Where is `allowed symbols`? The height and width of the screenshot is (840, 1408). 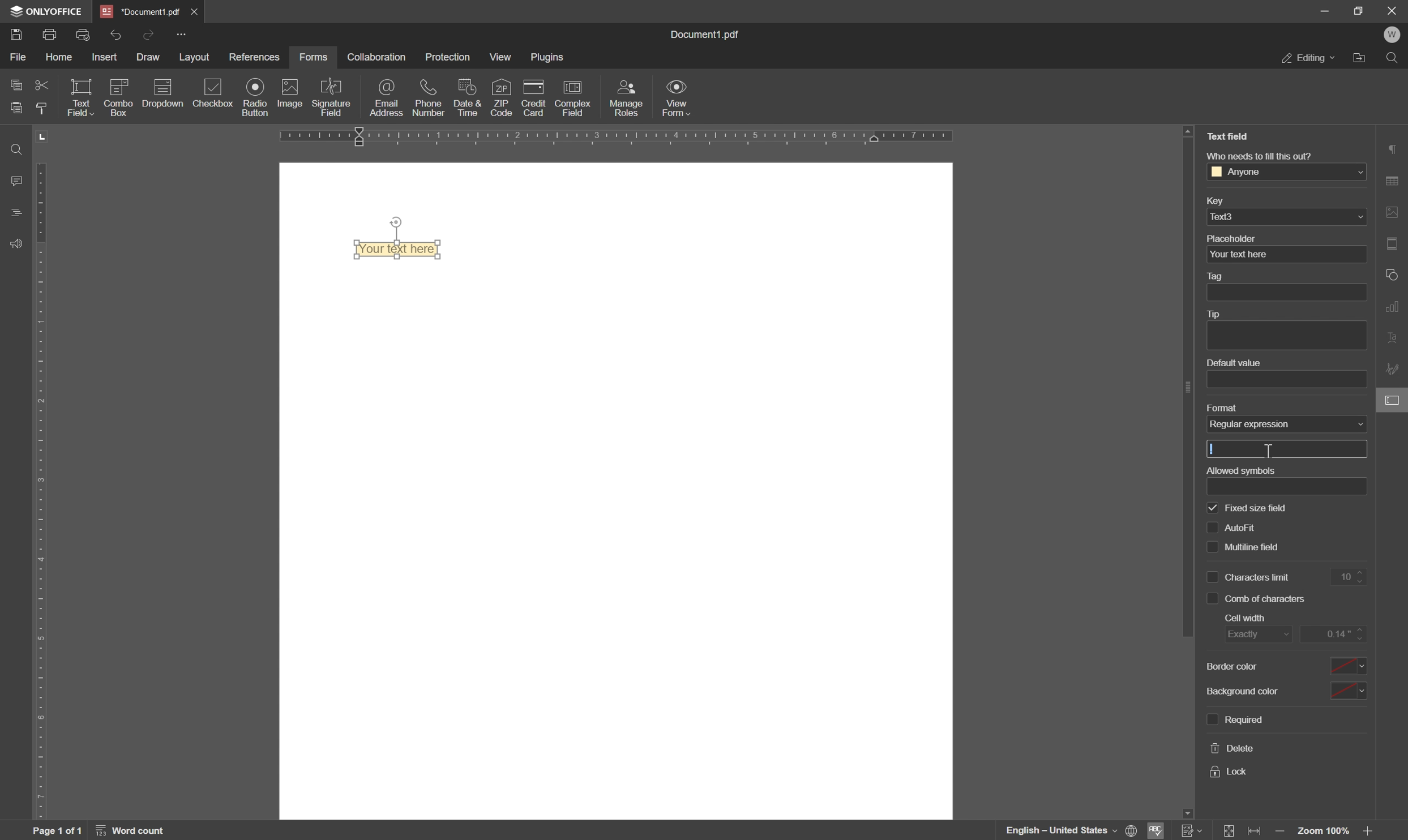 allowed symbols is located at coordinates (1239, 469).